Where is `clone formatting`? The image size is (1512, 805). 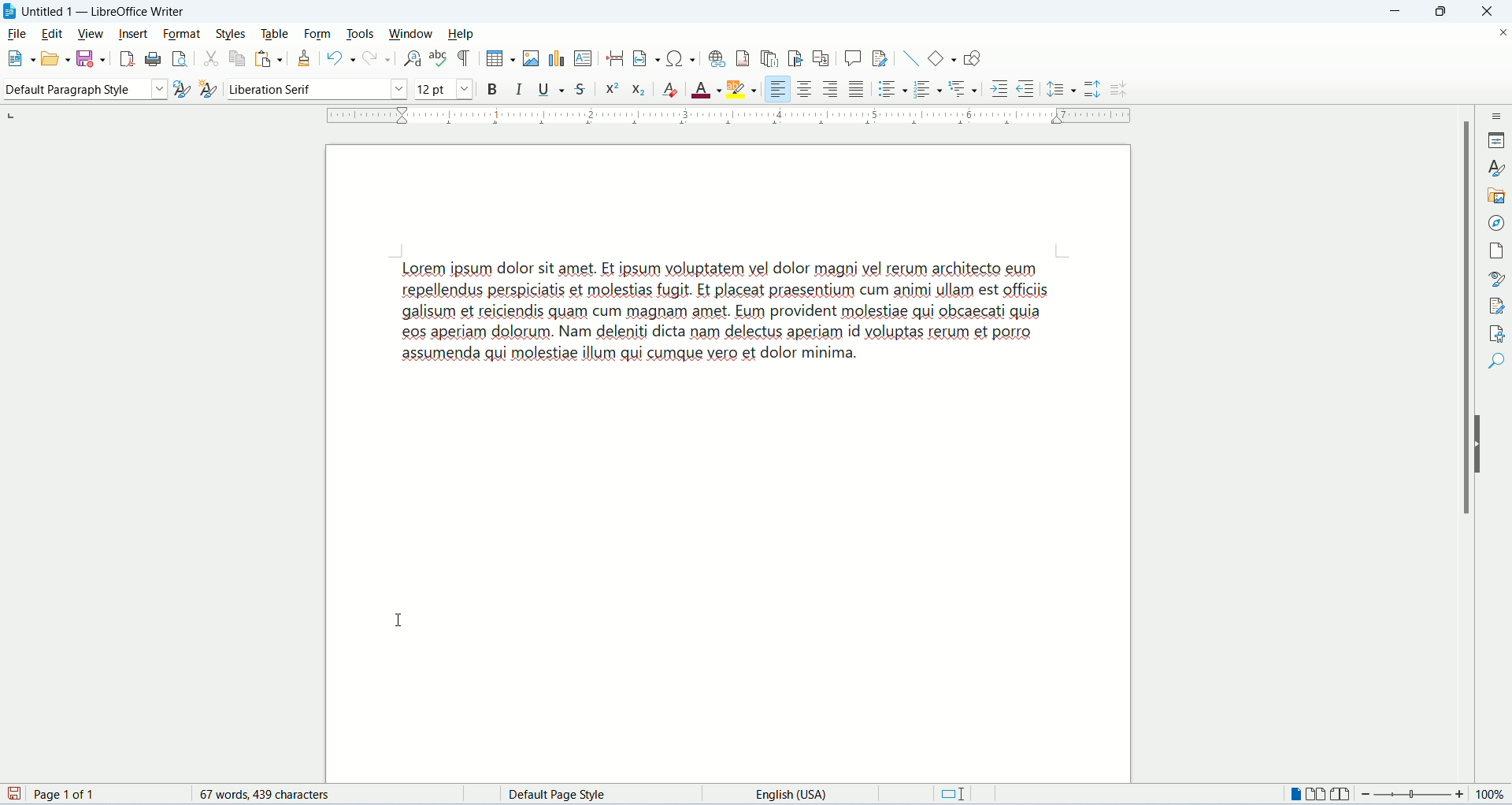
clone formatting is located at coordinates (306, 58).